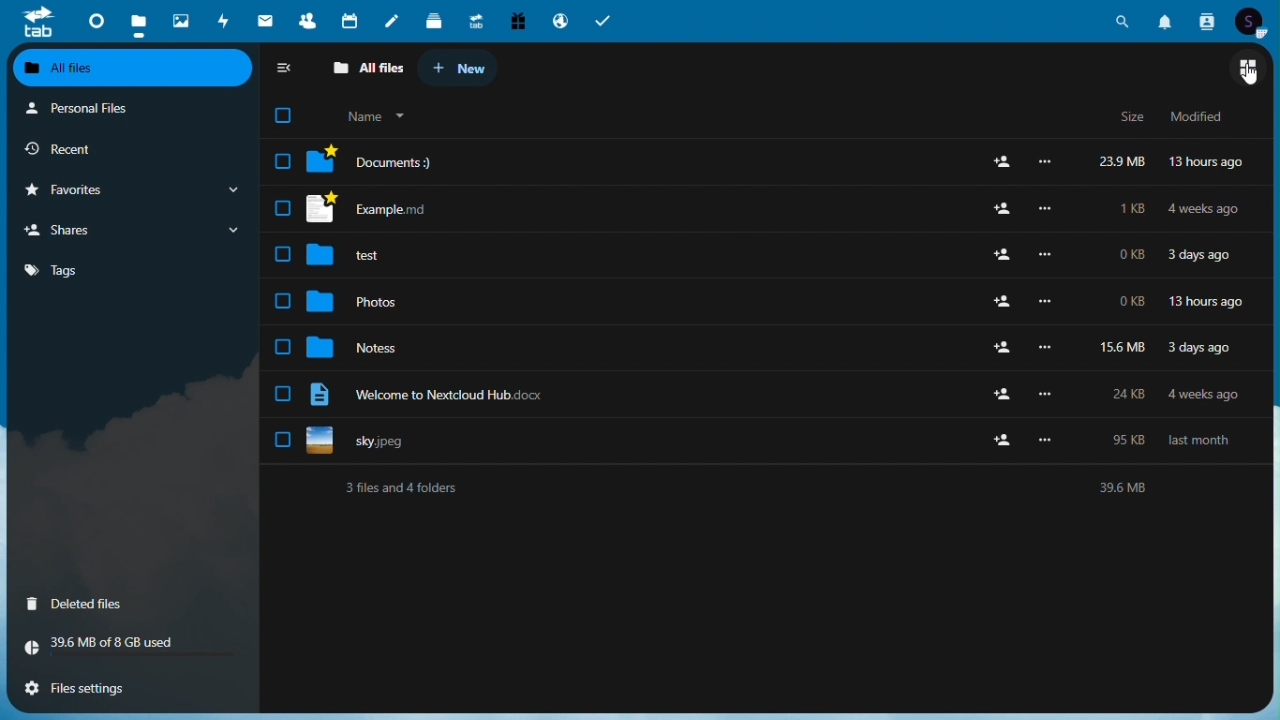 The width and height of the screenshot is (1280, 720). What do you see at coordinates (375, 345) in the screenshot?
I see `notes` at bounding box center [375, 345].